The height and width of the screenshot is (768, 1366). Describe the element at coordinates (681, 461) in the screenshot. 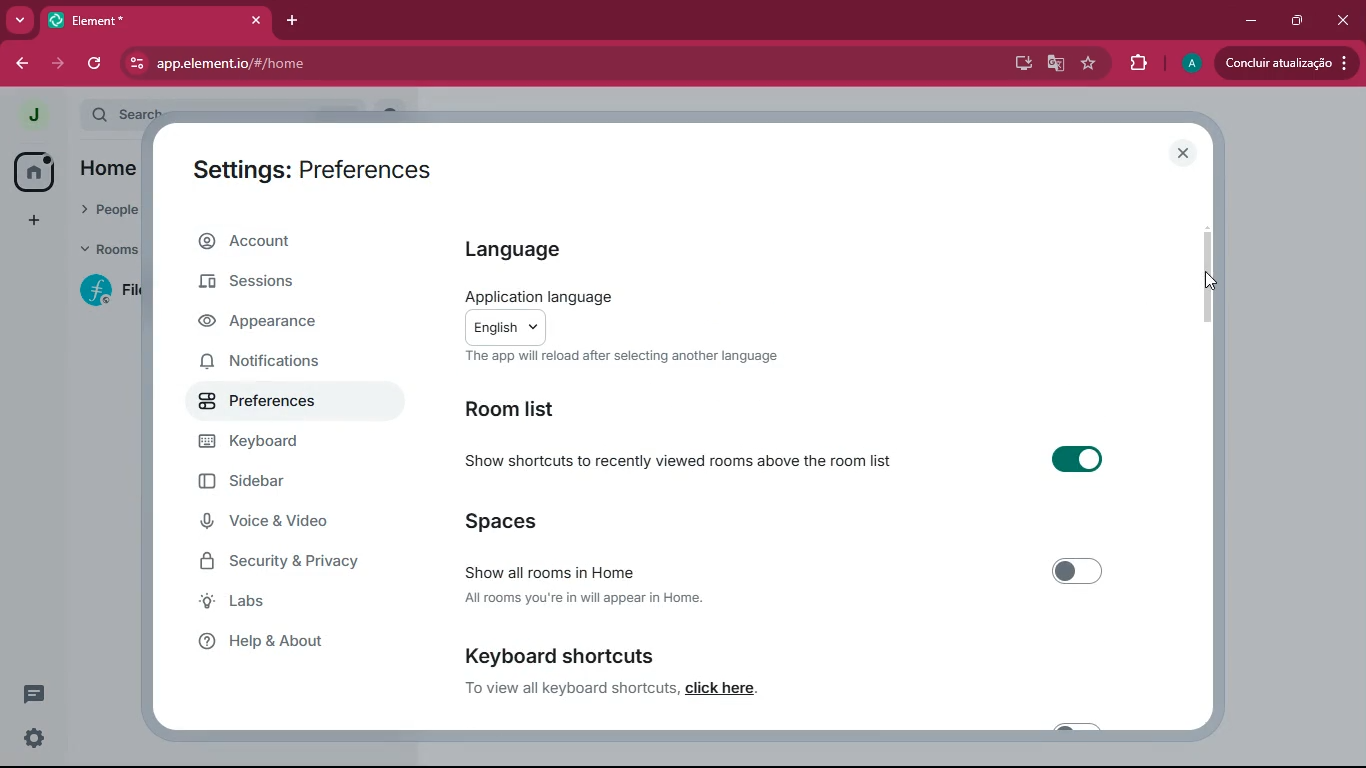

I see `show shortcuts` at that location.